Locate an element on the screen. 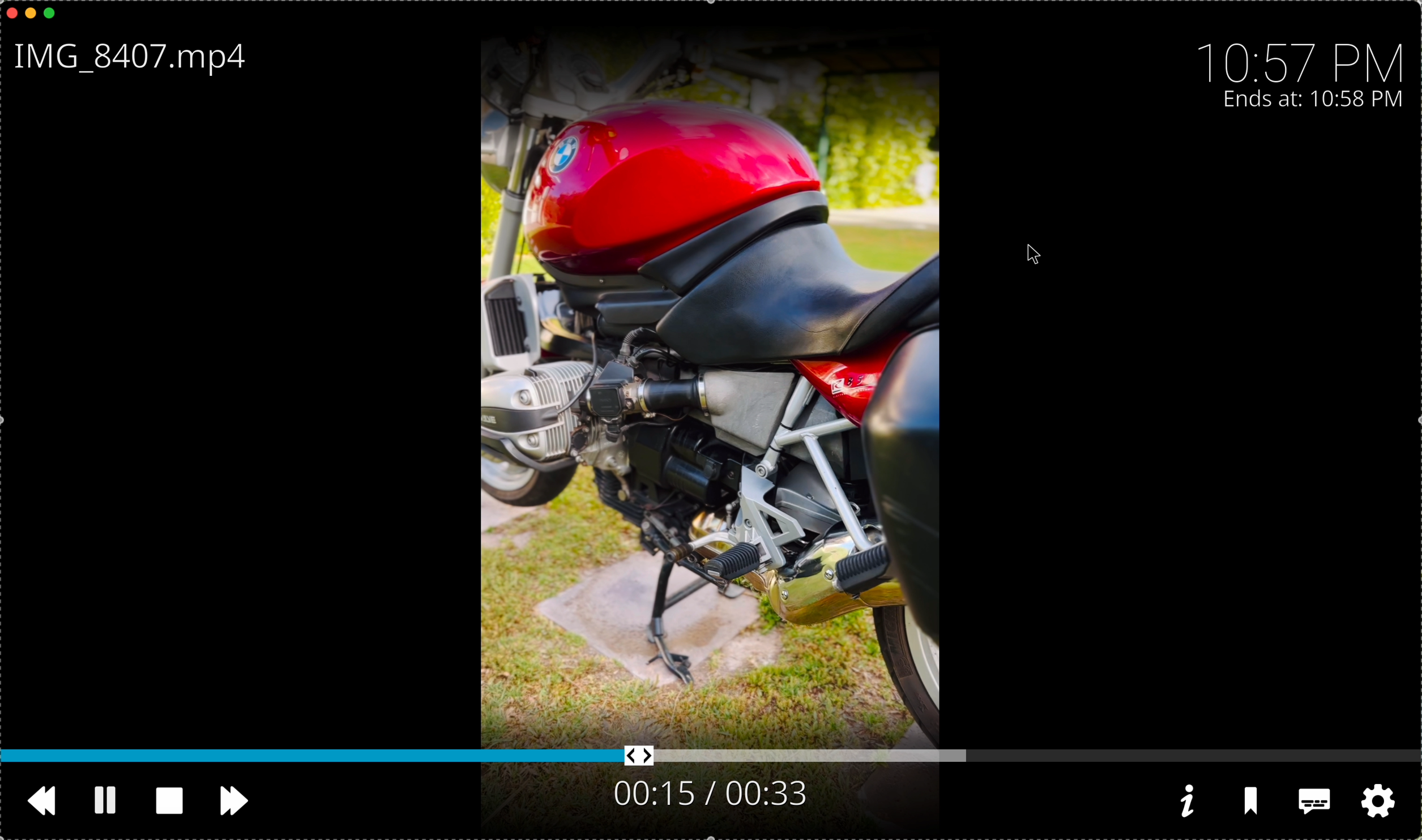 The image size is (1422, 840). stop is located at coordinates (174, 802).